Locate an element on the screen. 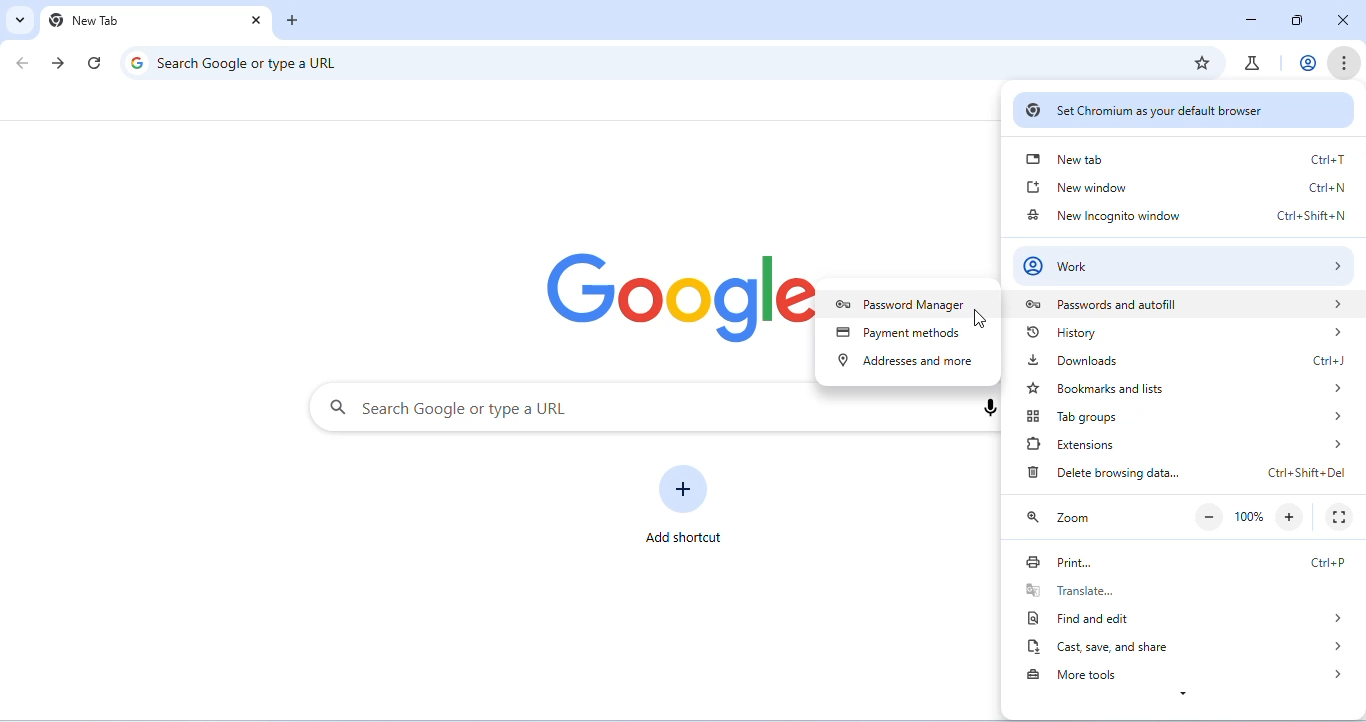 Image resolution: width=1366 pixels, height=722 pixels. add shortcut is located at coordinates (686, 501).